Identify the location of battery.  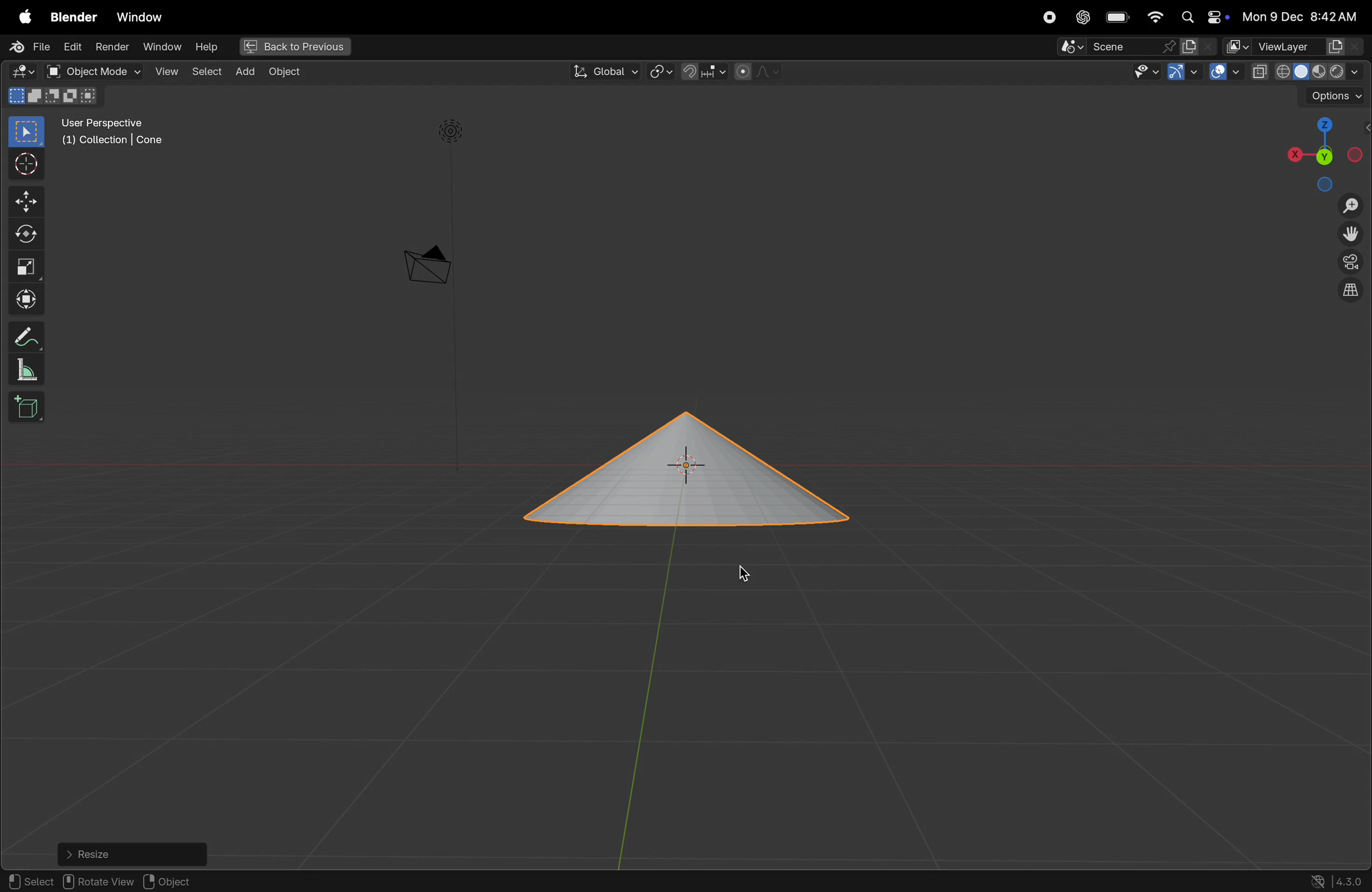
(1118, 17).